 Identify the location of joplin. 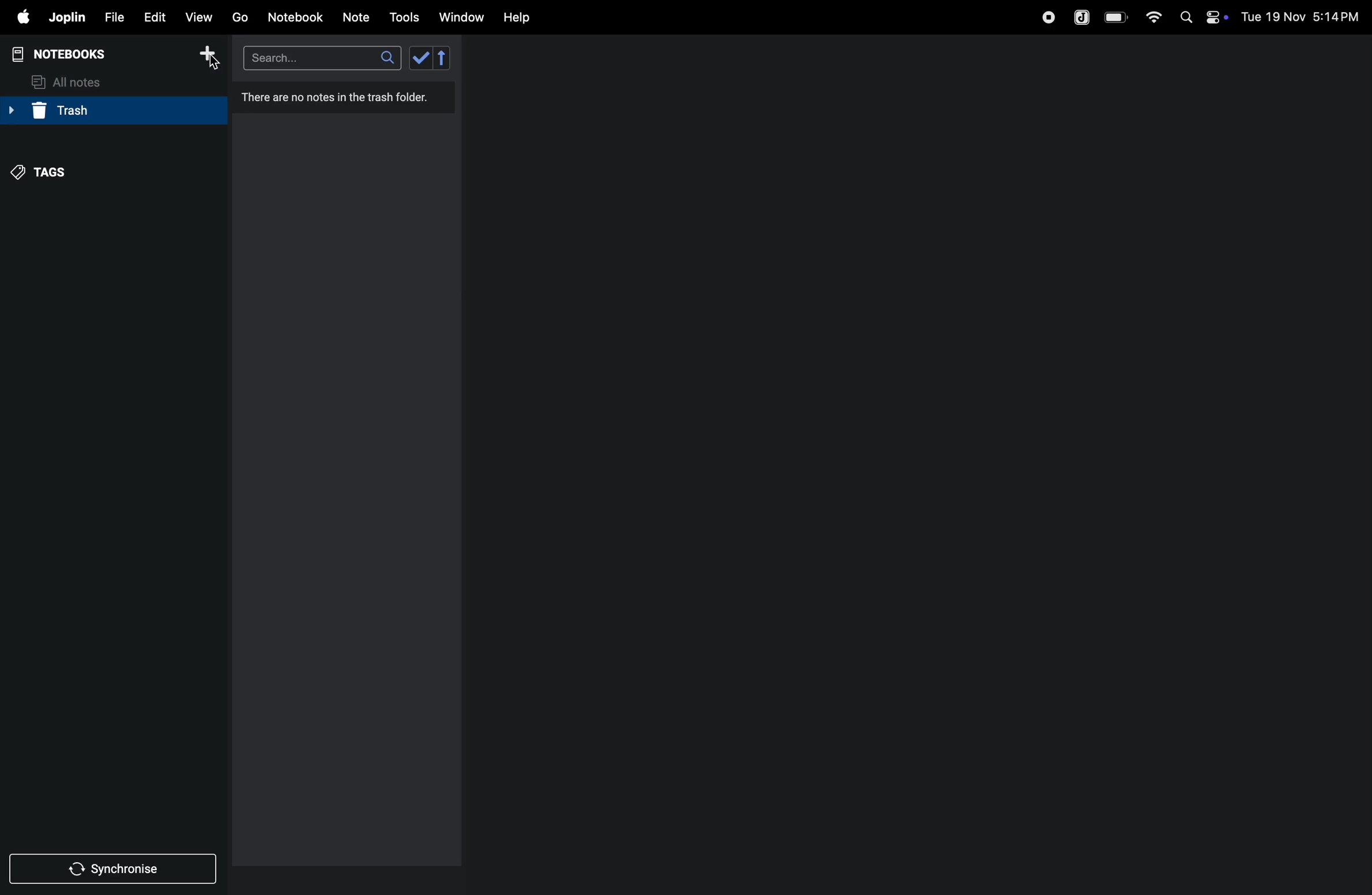
(1083, 16).